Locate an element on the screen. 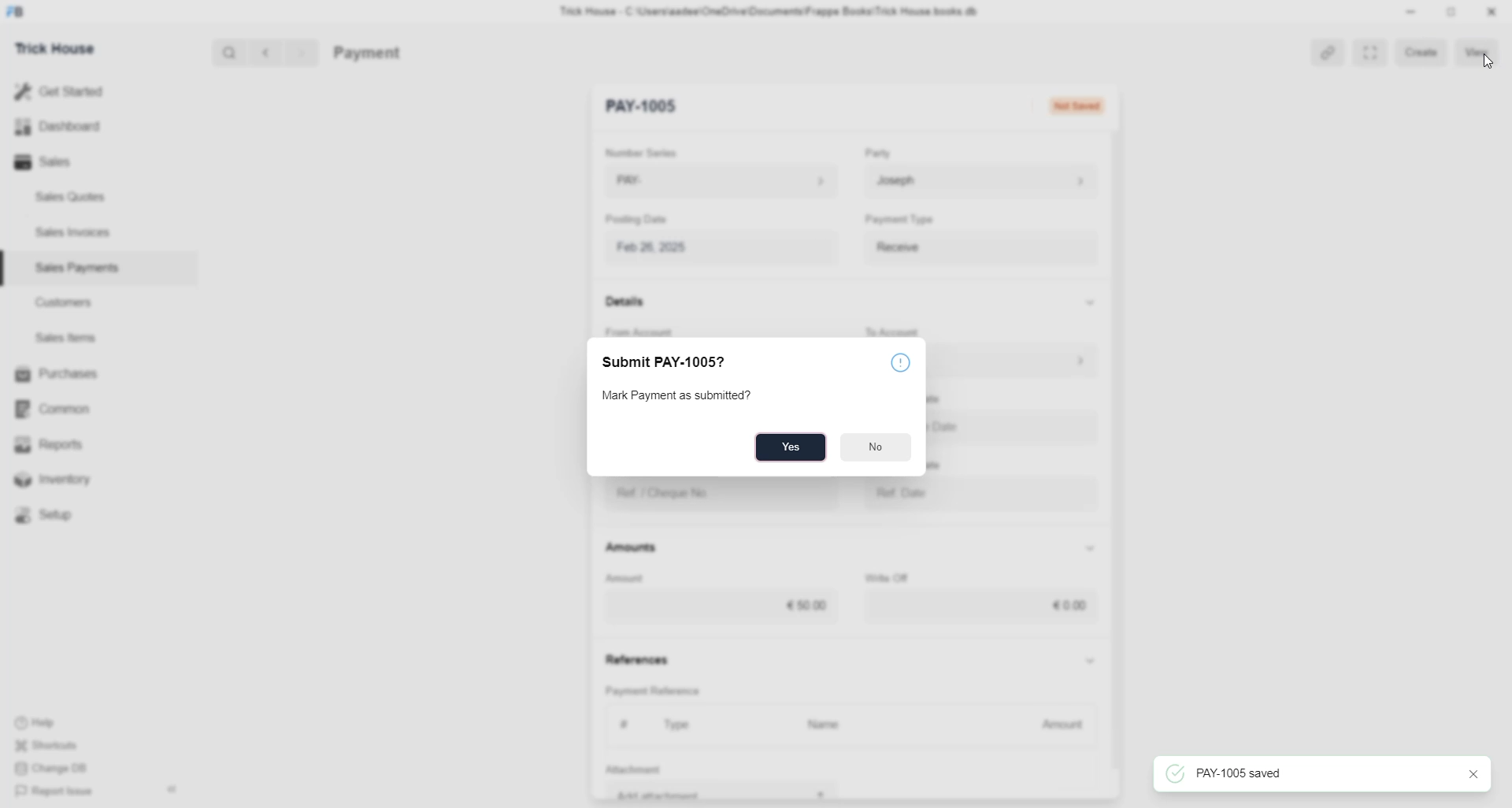 This screenshot has width=1512, height=808. Reports is located at coordinates (59, 443).